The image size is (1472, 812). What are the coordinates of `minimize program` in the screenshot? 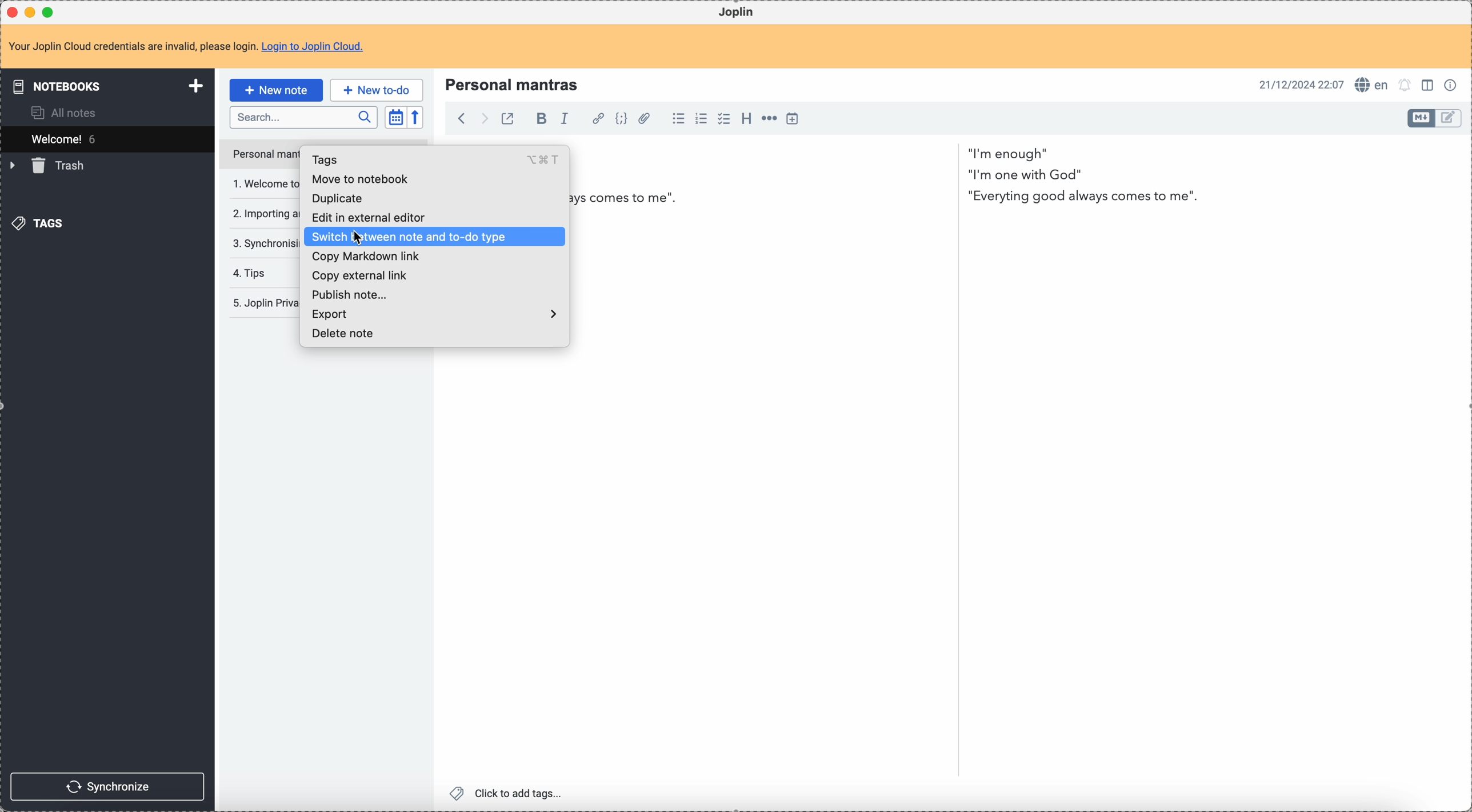 It's located at (32, 13).